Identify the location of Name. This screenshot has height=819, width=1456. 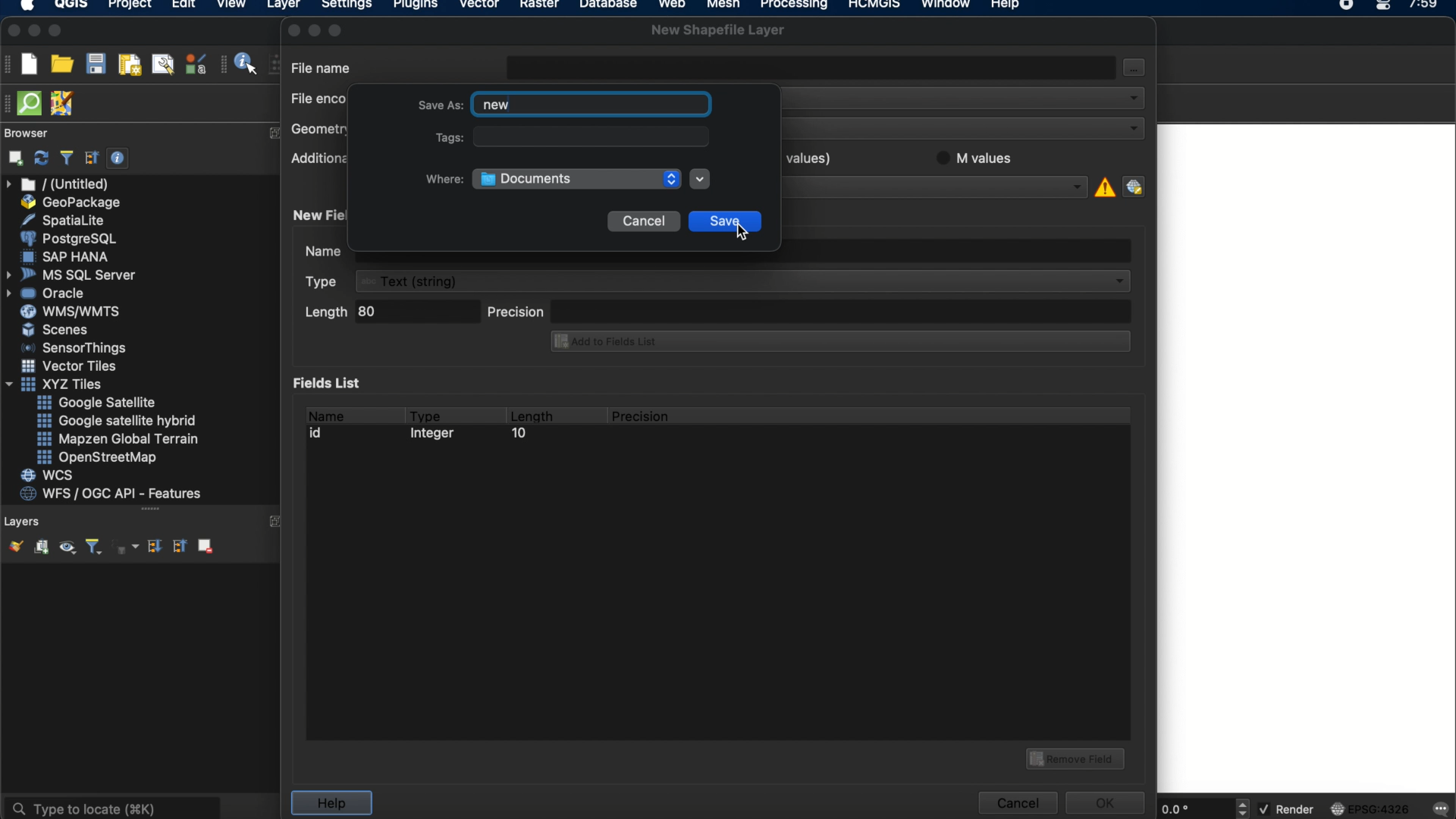
(319, 253).